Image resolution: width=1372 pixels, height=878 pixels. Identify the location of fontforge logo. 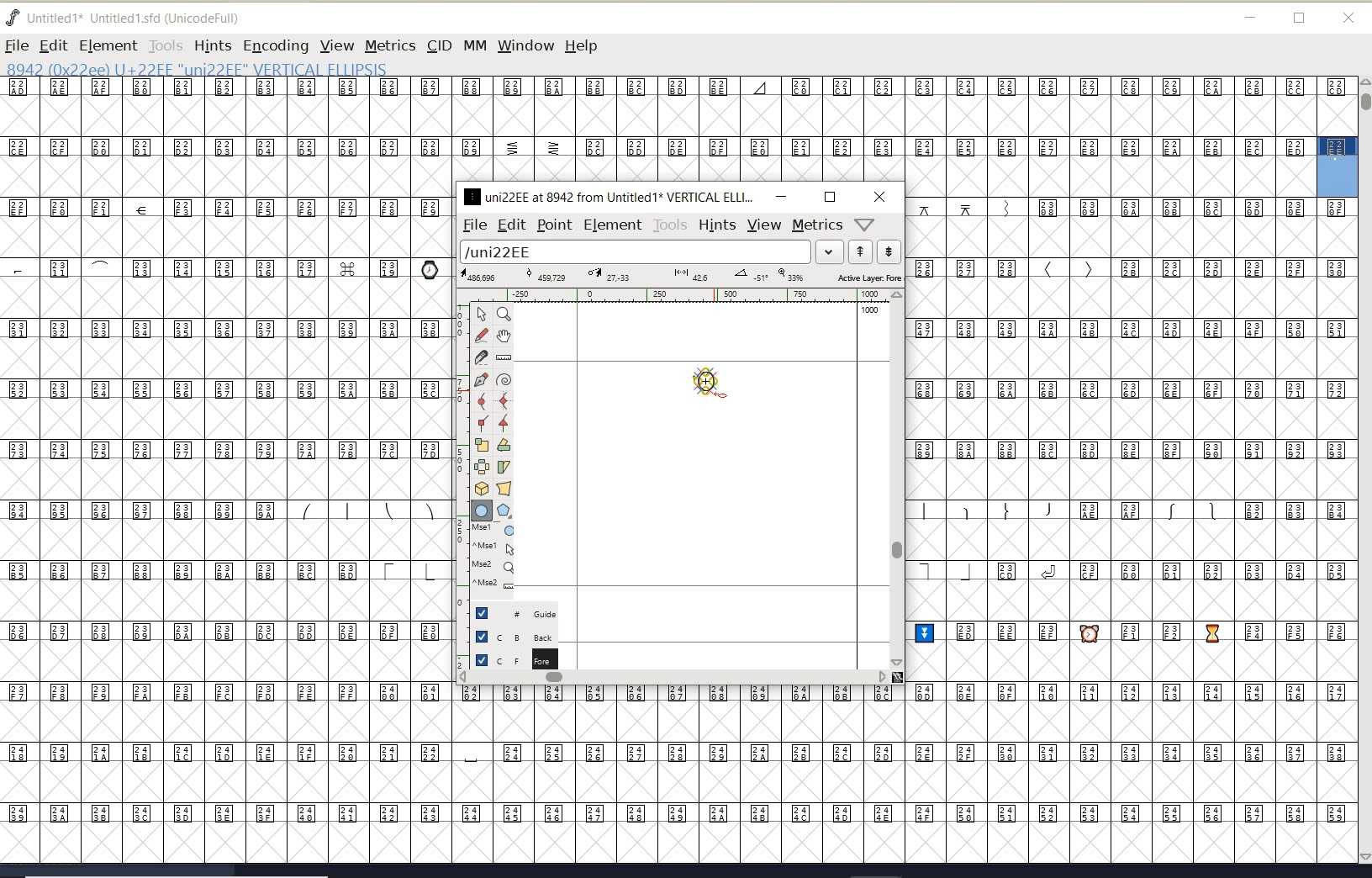
(13, 18).